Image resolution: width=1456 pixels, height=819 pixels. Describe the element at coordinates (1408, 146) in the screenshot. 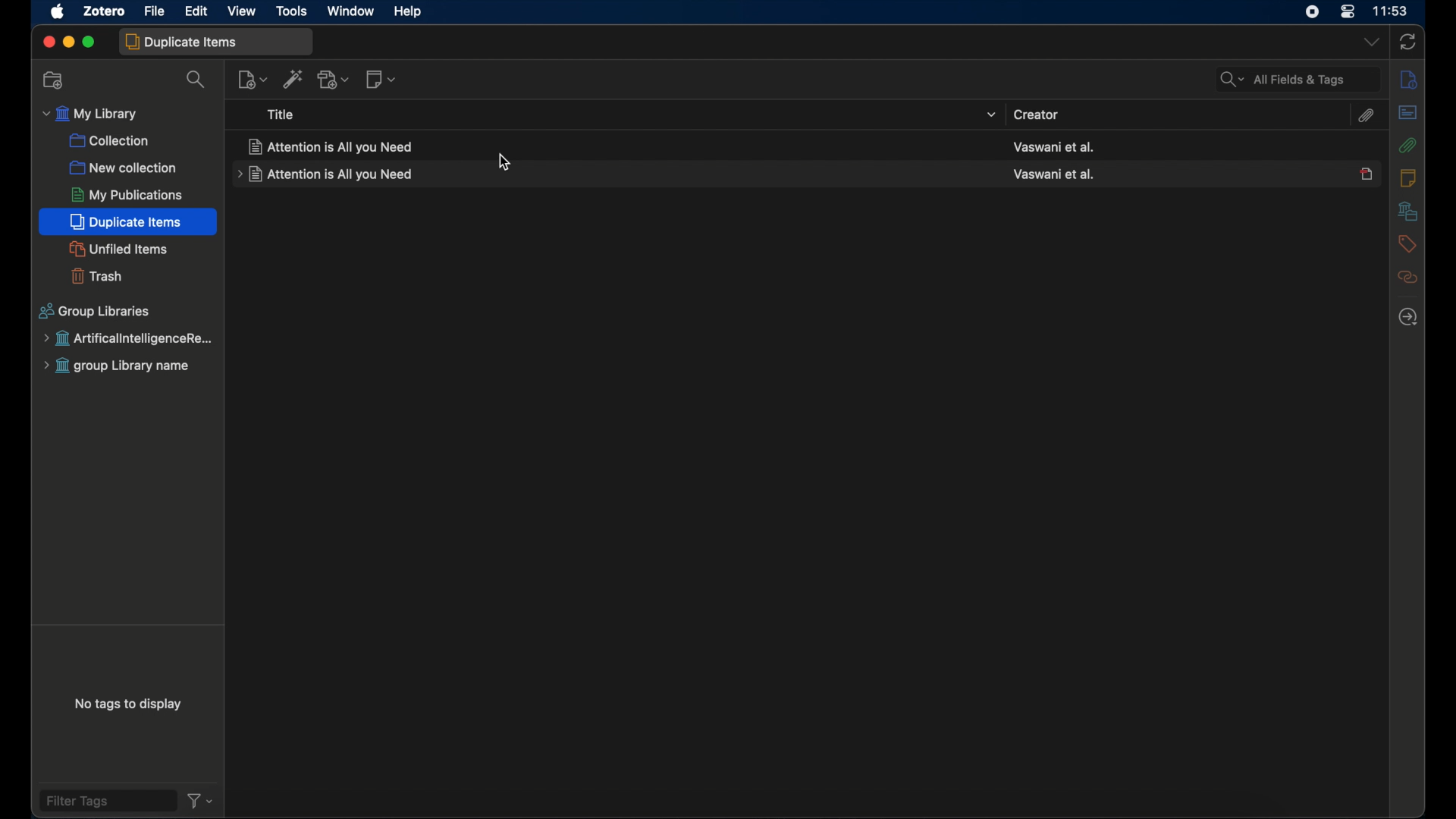

I see `attachments` at that location.